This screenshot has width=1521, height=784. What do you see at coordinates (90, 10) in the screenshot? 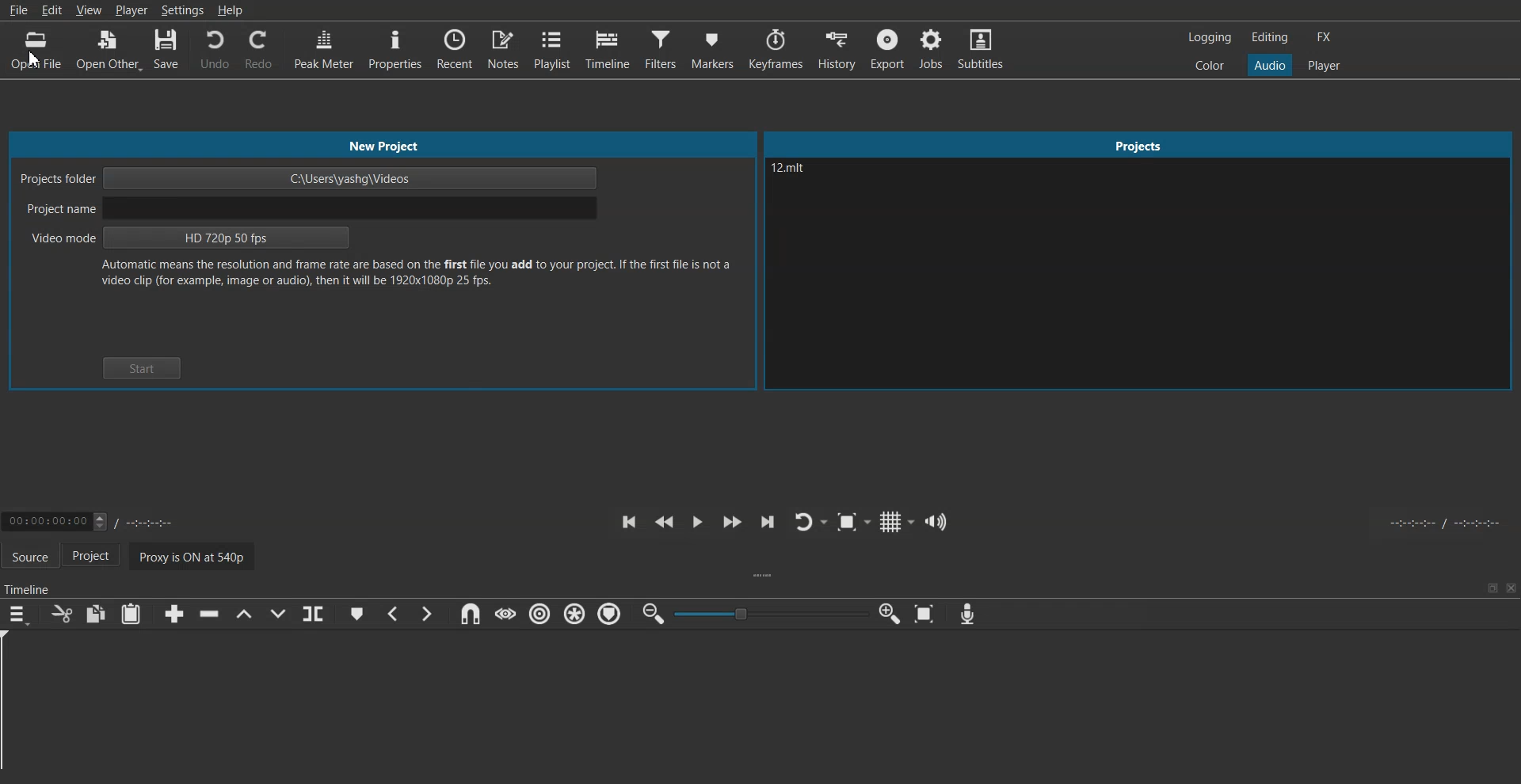
I see `View` at bounding box center [90, 10].